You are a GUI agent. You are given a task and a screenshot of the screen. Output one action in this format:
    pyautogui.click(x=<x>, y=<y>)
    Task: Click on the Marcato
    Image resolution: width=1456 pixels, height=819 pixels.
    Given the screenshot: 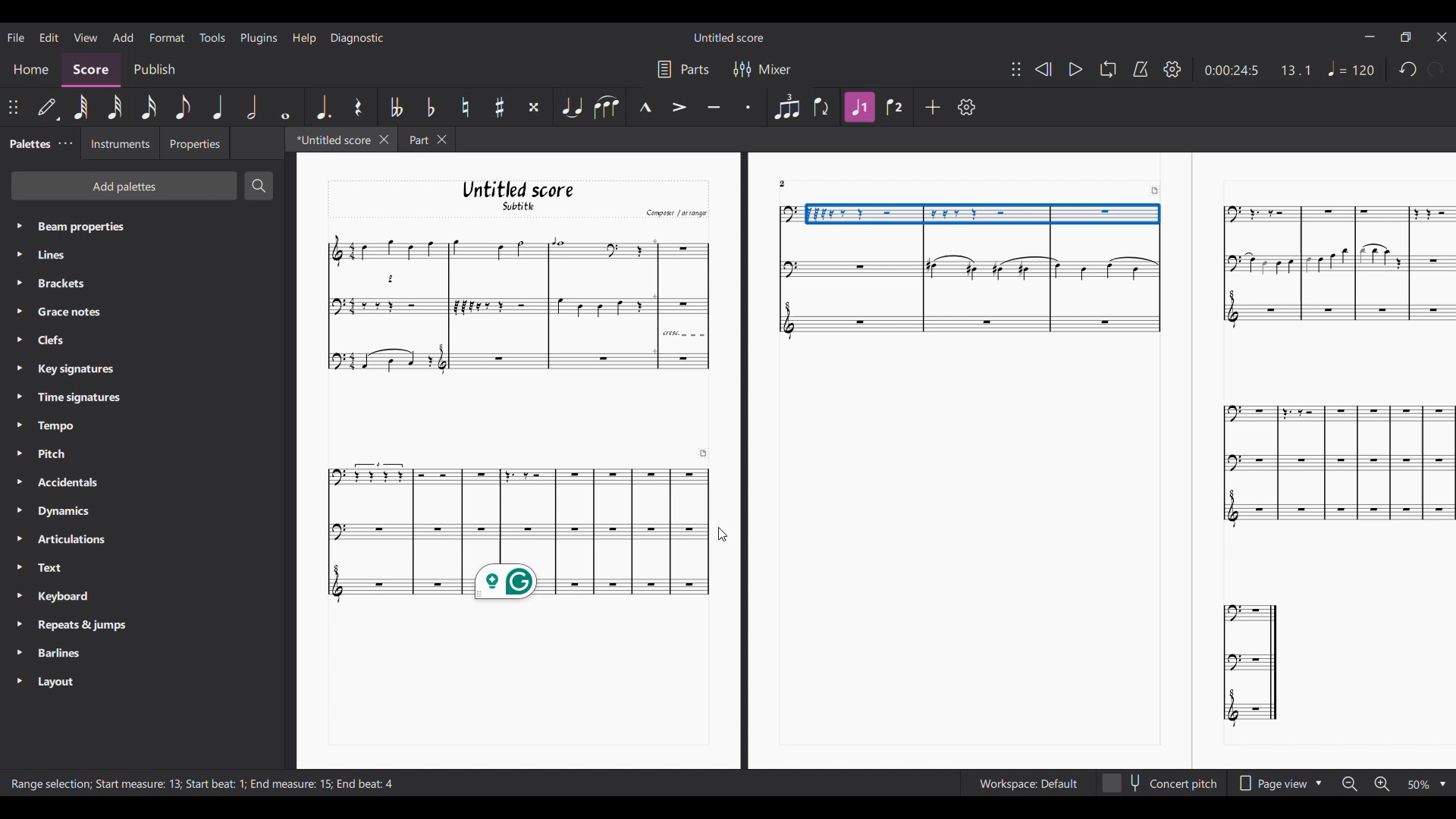 What is the action you would take?
    pyautogui.click(x=645, y=108)
    